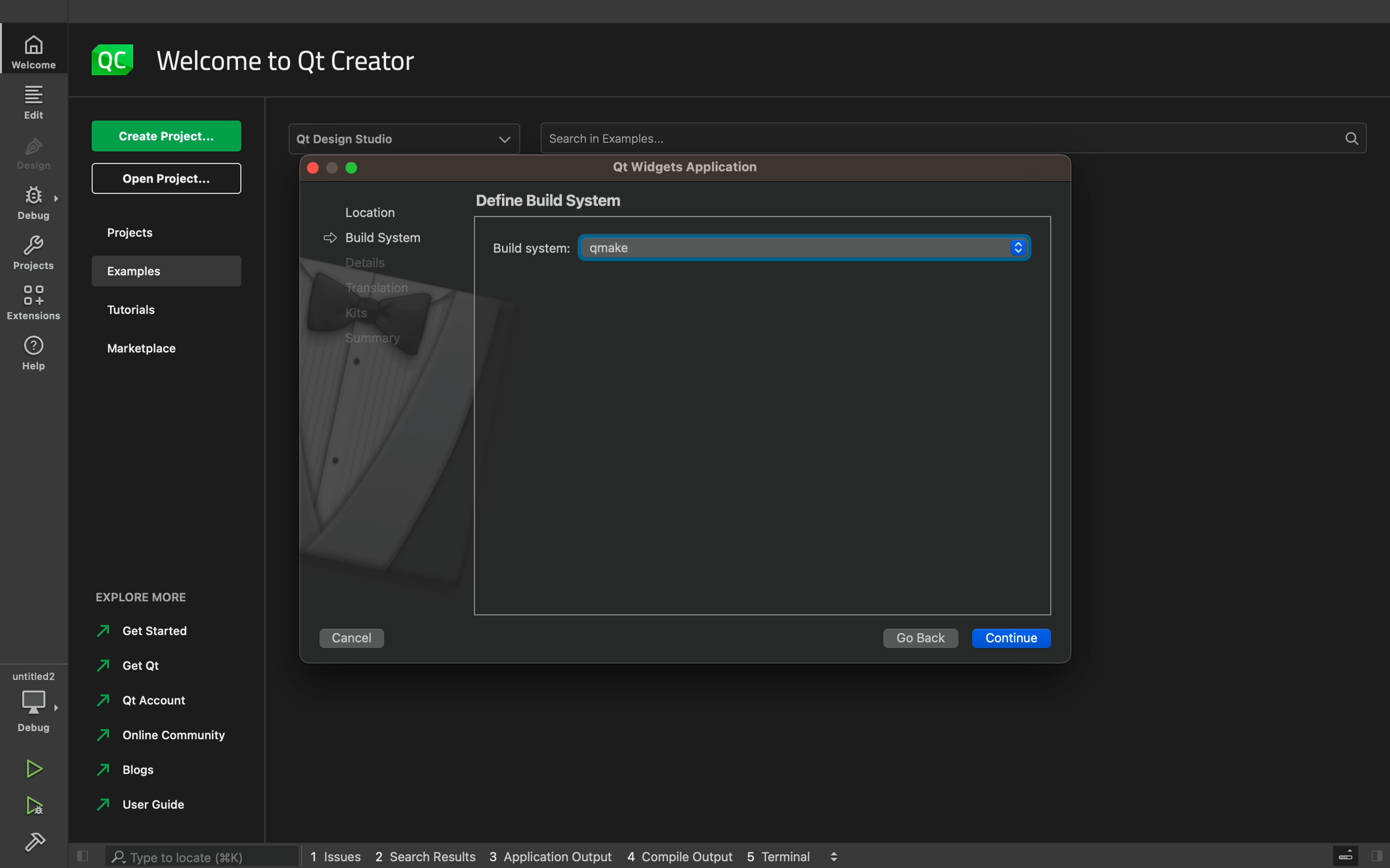 The width and height of the screenshot is (1390, 868). I want to click on , so click(38, 844).